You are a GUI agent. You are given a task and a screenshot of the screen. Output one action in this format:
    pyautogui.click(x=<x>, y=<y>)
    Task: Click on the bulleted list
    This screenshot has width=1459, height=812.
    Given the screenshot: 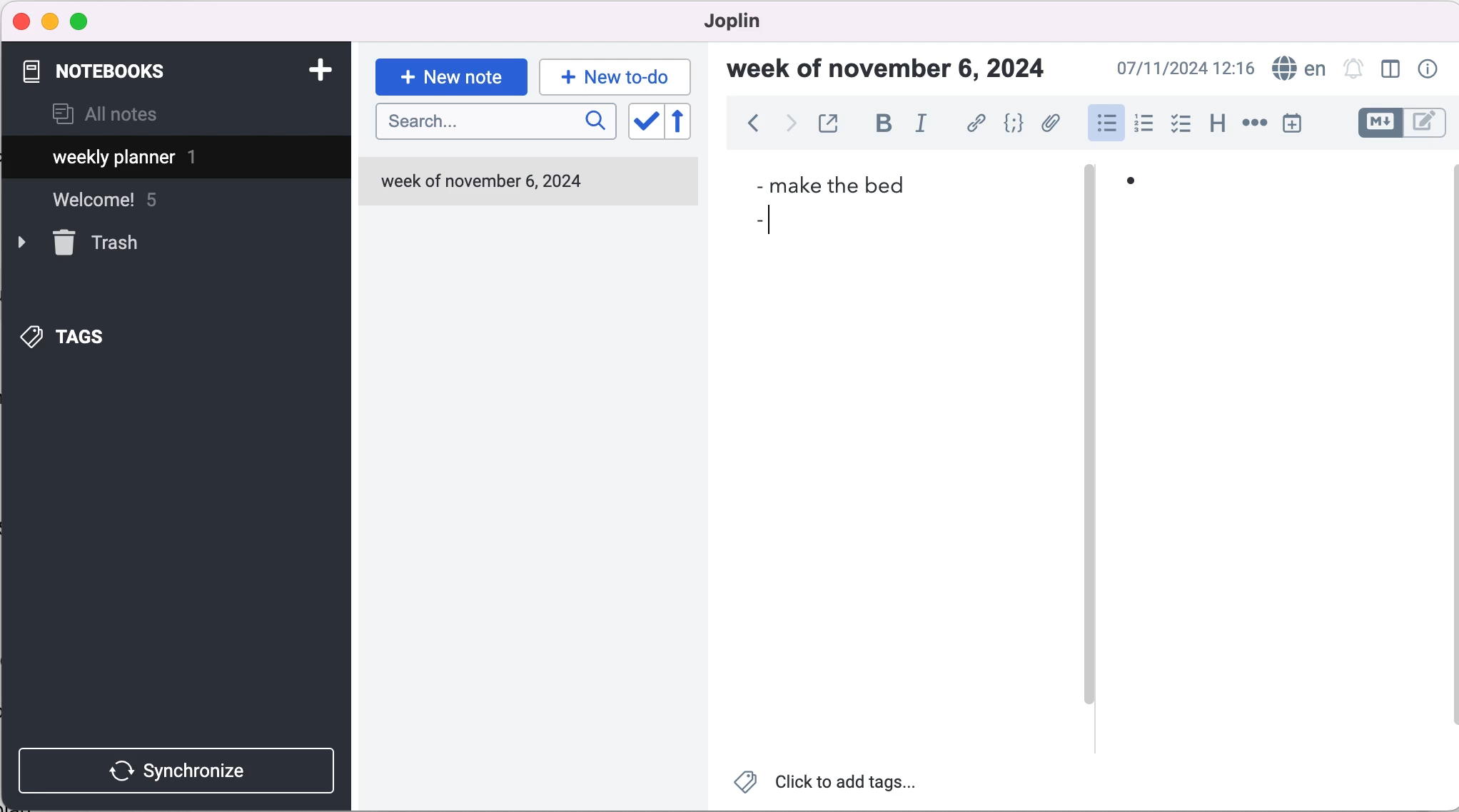 What is the action you would take?
    pyautogui.click(x=1105, y=122)
    